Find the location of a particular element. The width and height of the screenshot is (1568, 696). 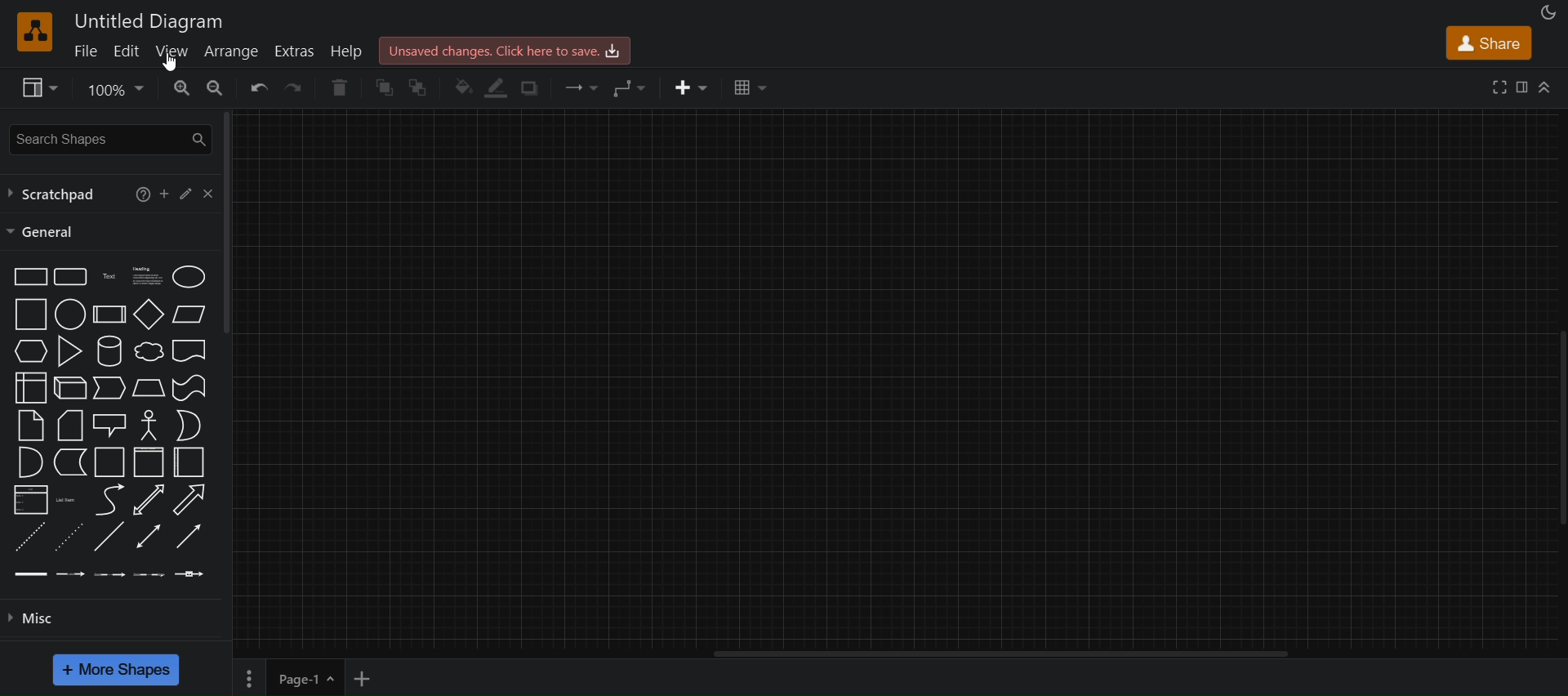

shadow is located at coordinates (532, 89).